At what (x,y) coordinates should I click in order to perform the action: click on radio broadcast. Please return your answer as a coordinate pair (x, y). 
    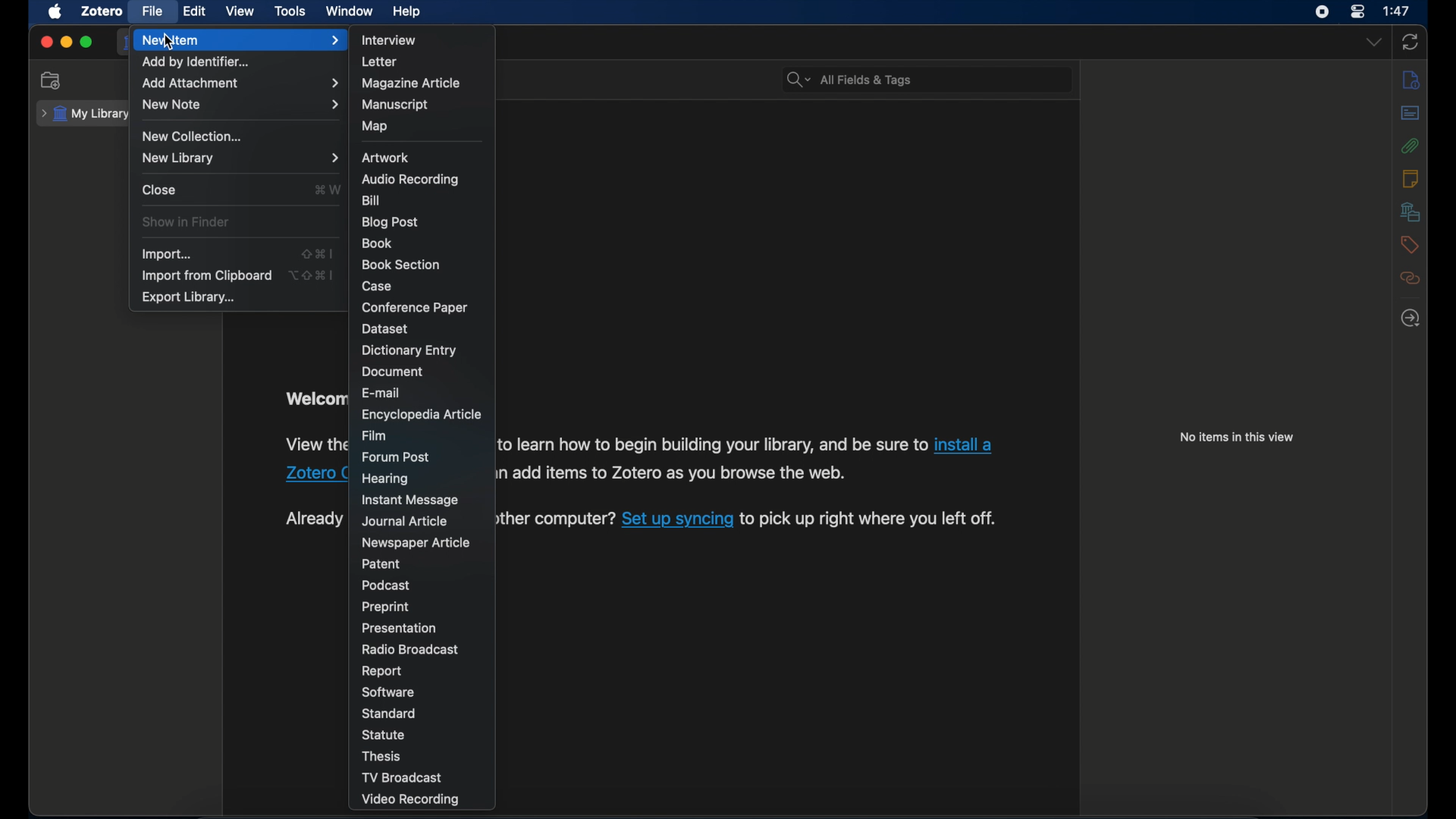
    Looking at the image, I should click on (410, 649).